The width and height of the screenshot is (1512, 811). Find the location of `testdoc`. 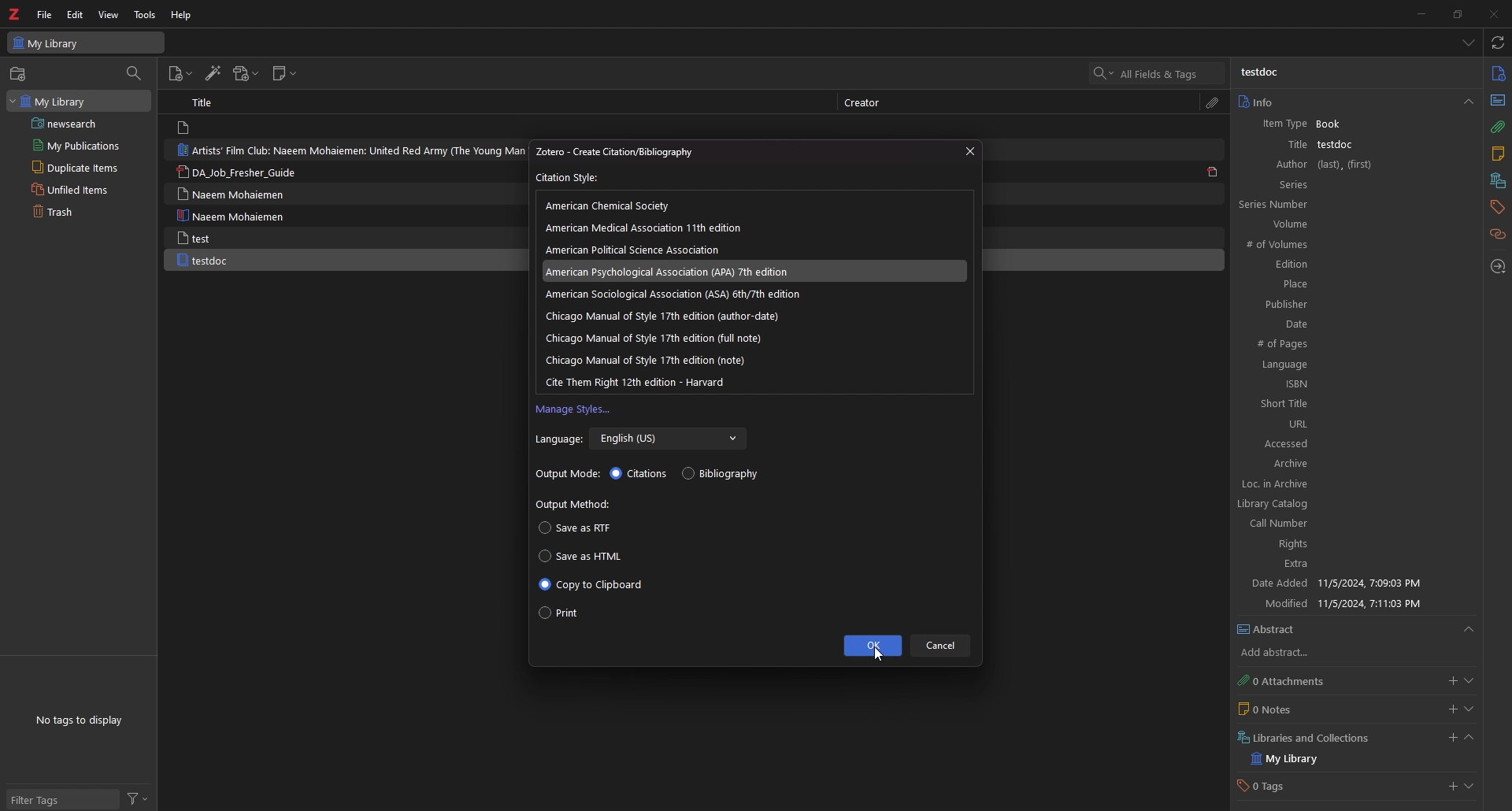

testdoc is located at coordinates (1262, 72).